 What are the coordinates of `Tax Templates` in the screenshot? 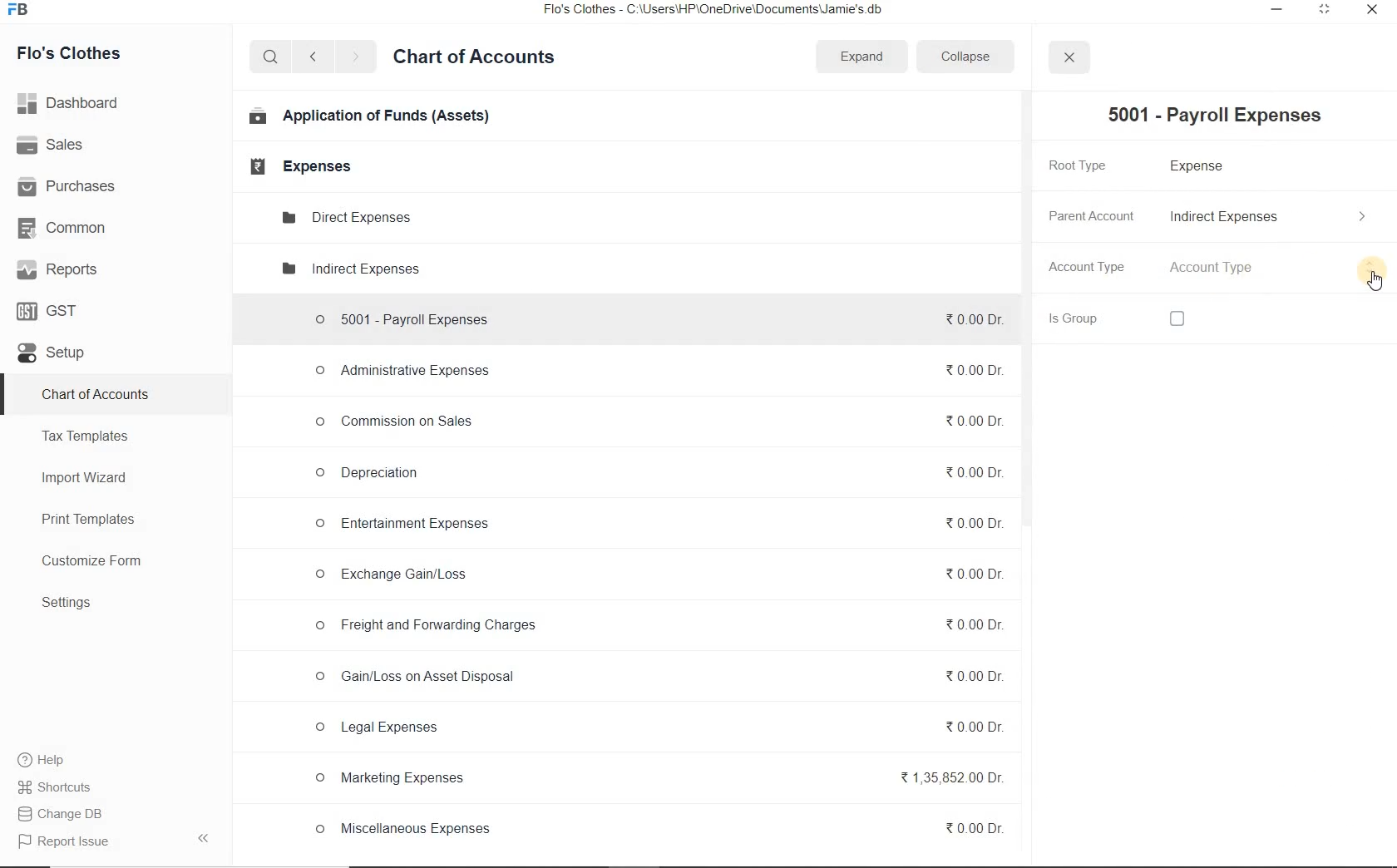 It's located at (86, 436).